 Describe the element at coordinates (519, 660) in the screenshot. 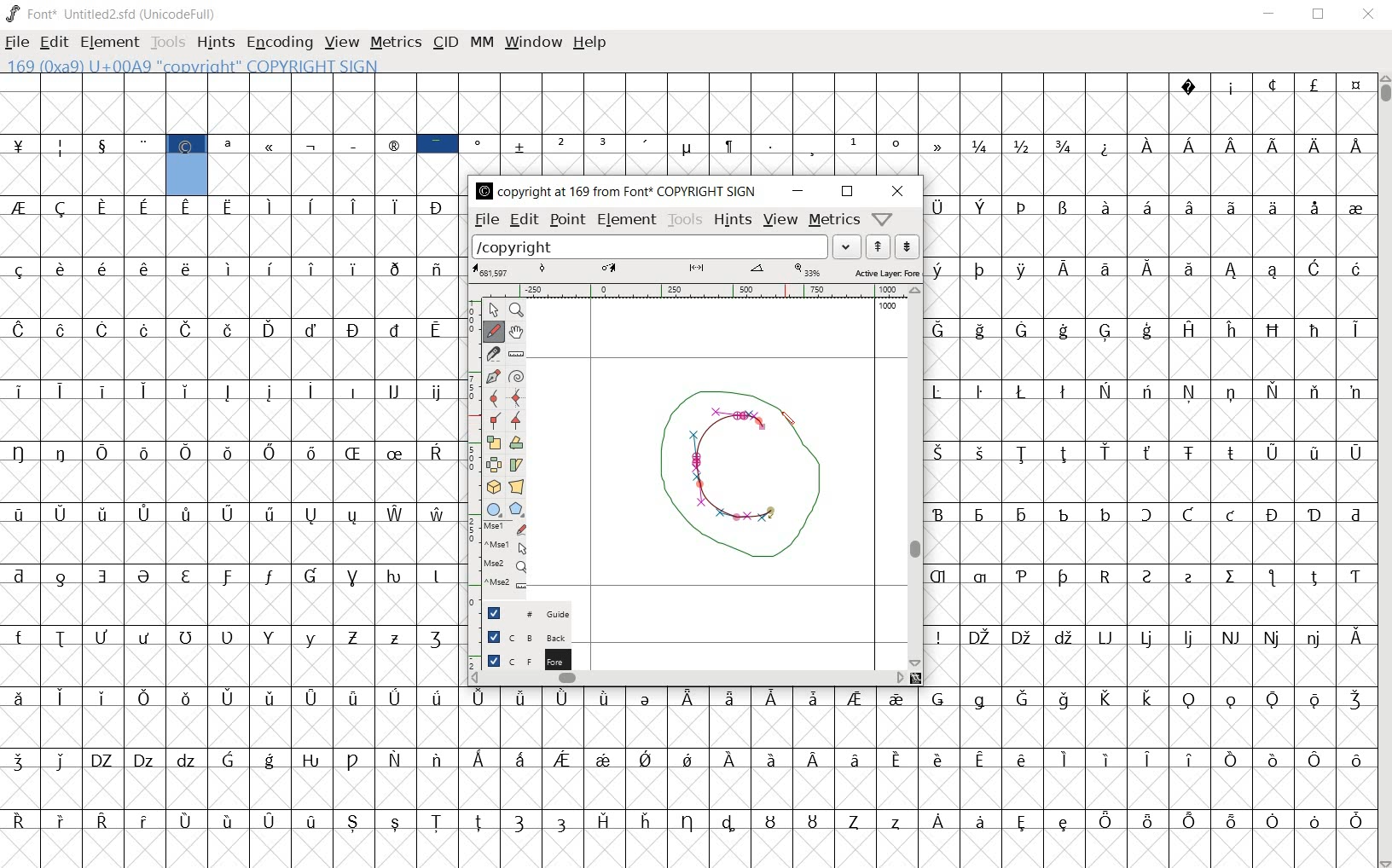

I see `foreground layer` at that location.